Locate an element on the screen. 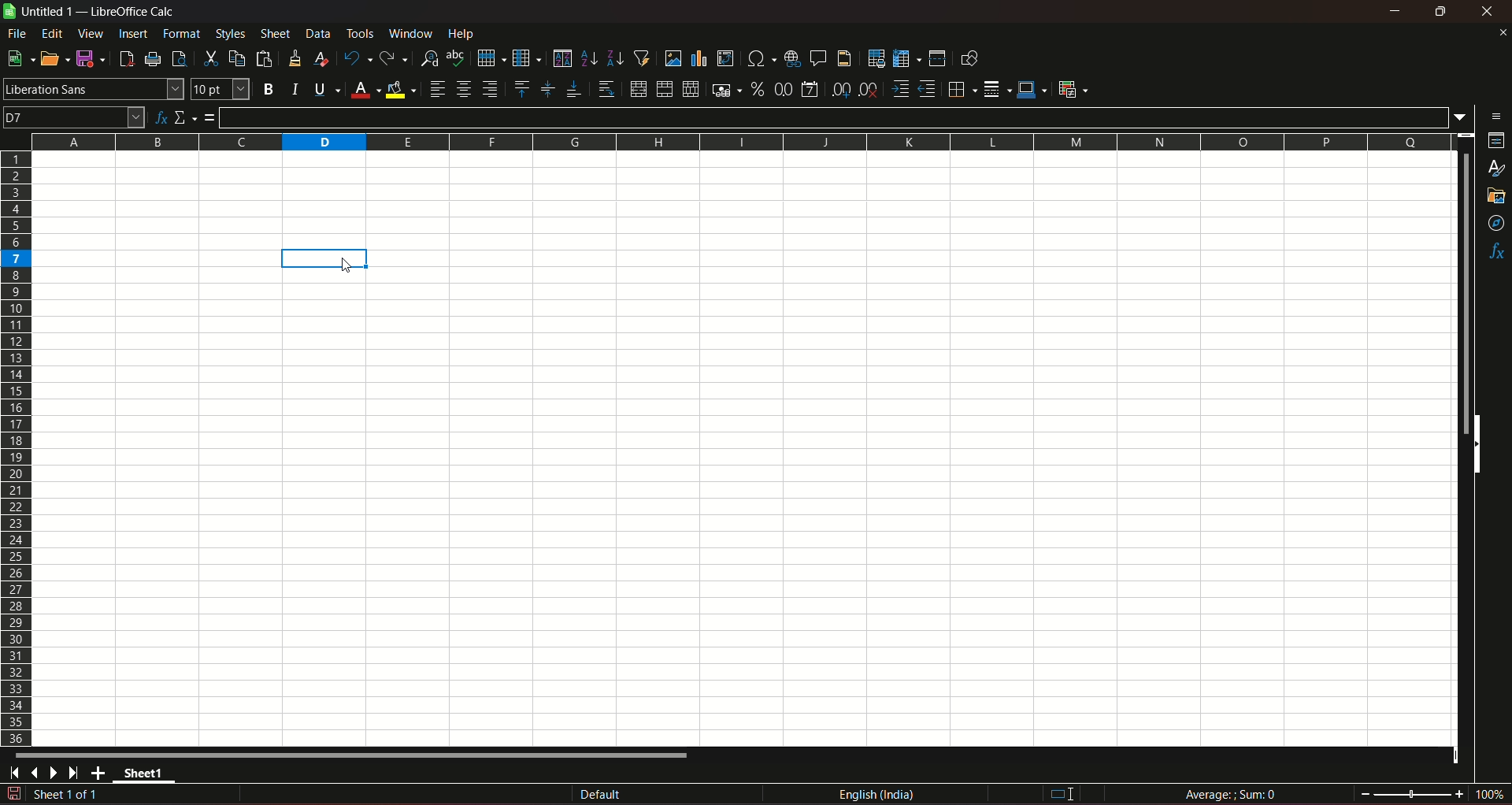  copy is located at coordinates (237, 58).